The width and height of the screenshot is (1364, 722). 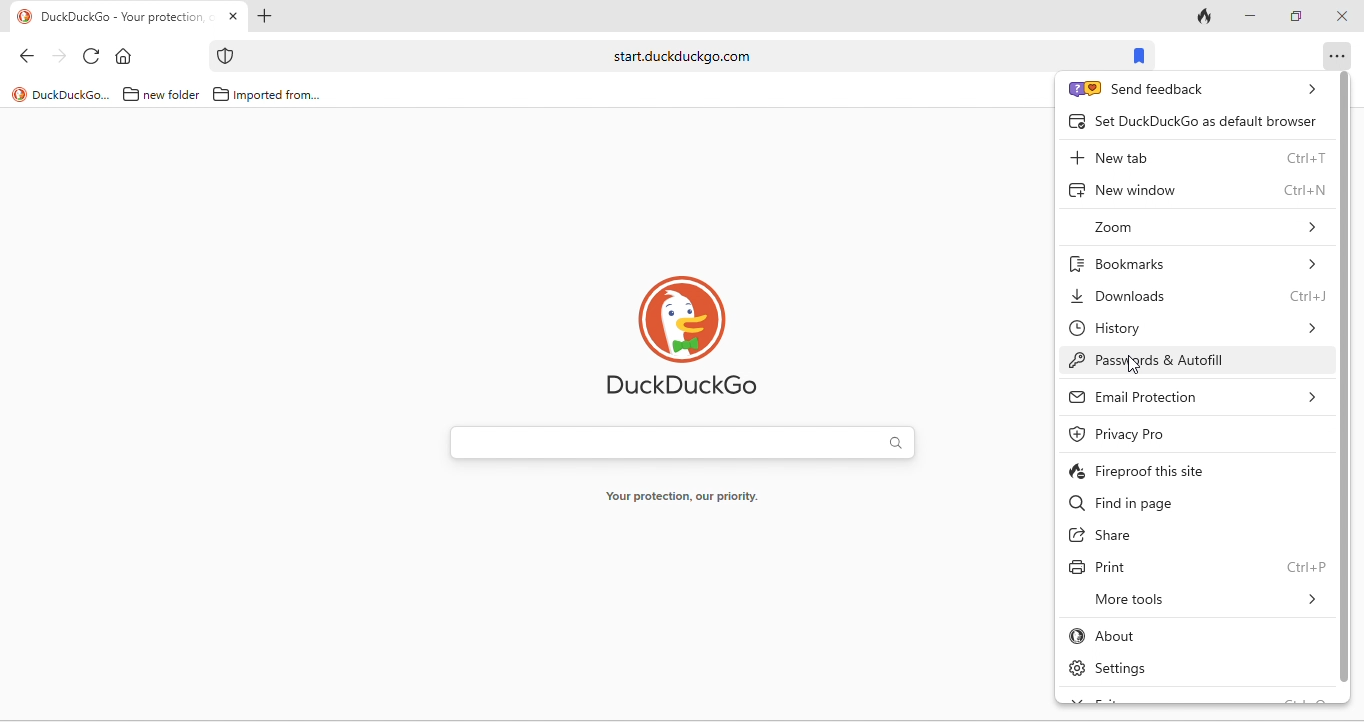 What do you see at coordinates (1172, 192) in the screenshot?
I see `new window` at bounding box center [1172, 192].